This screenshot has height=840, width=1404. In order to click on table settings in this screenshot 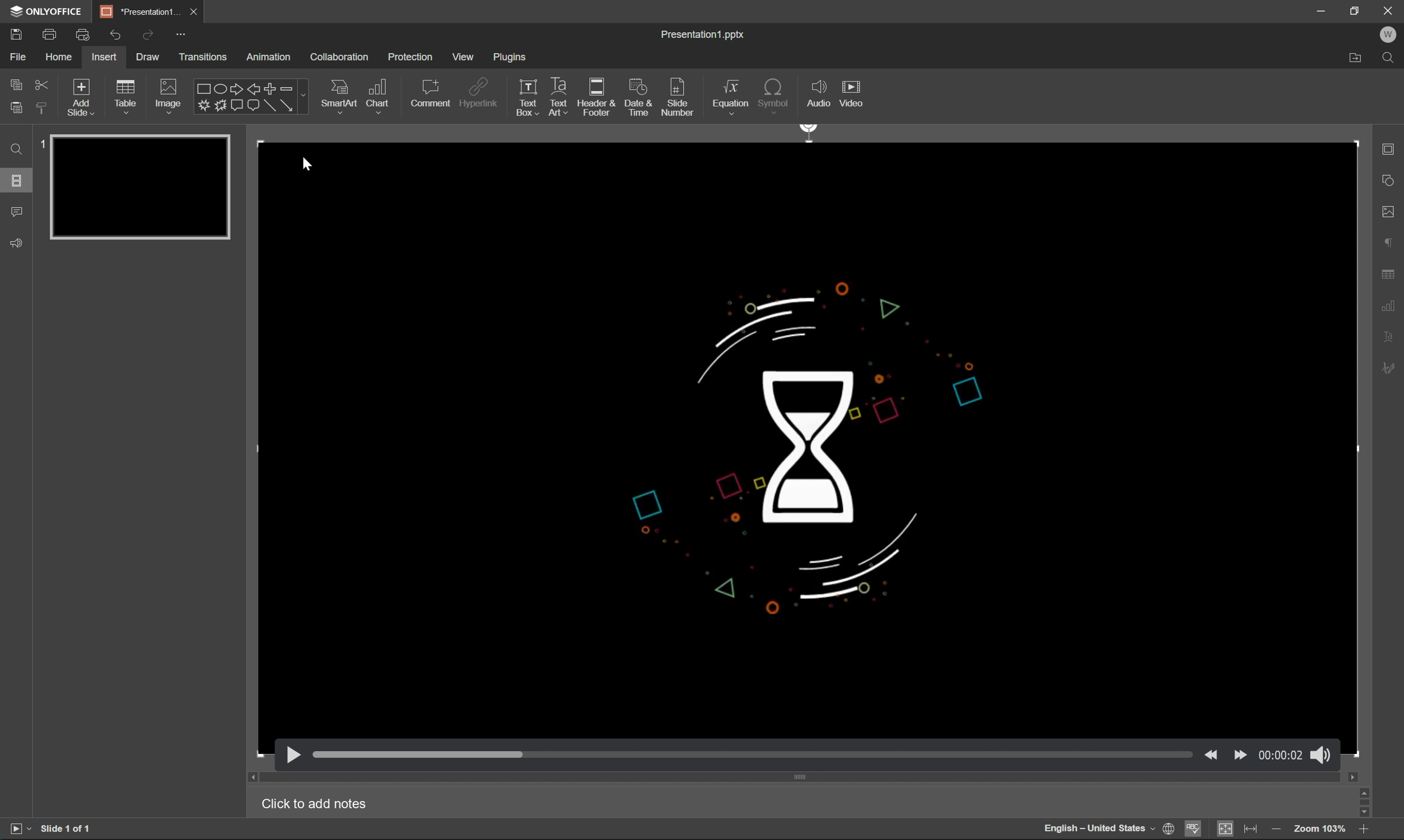, I will do `click(1390, 273)`.